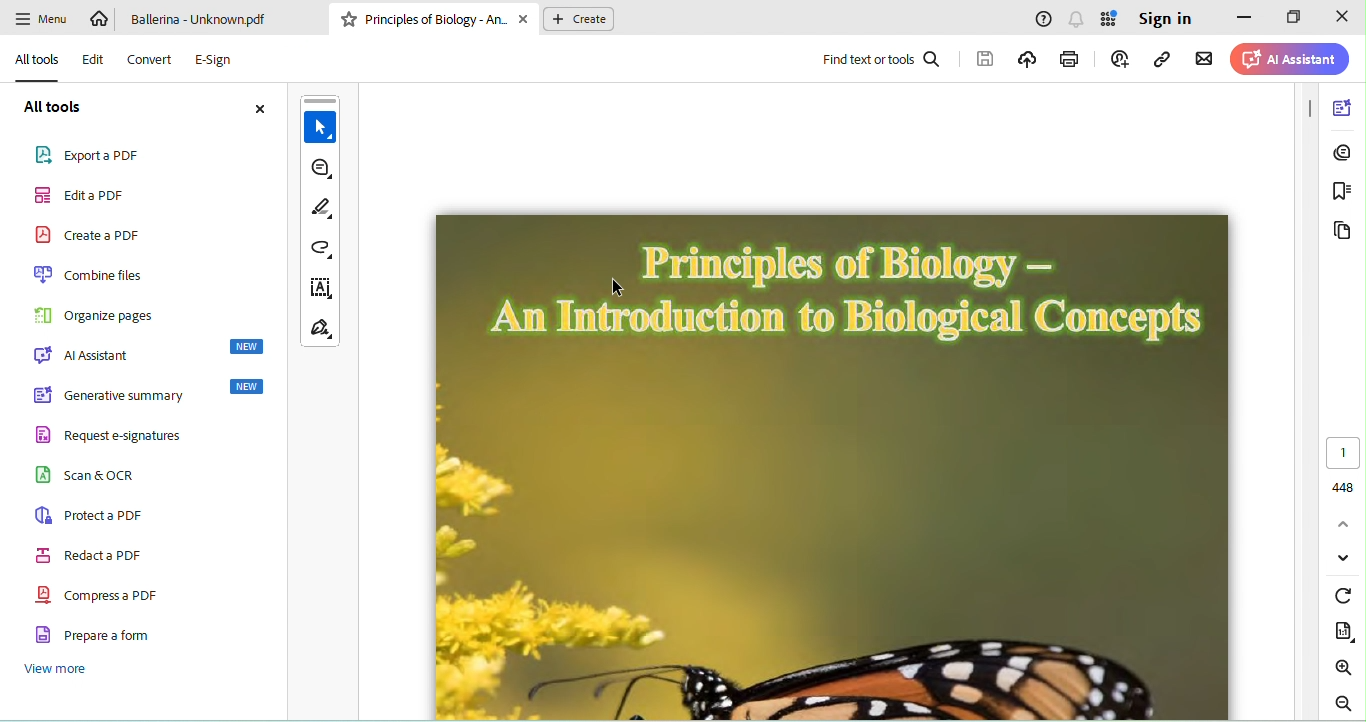 This screenshot has height=722, width=1366. I want to click on request e-signature, so click(144, 437).